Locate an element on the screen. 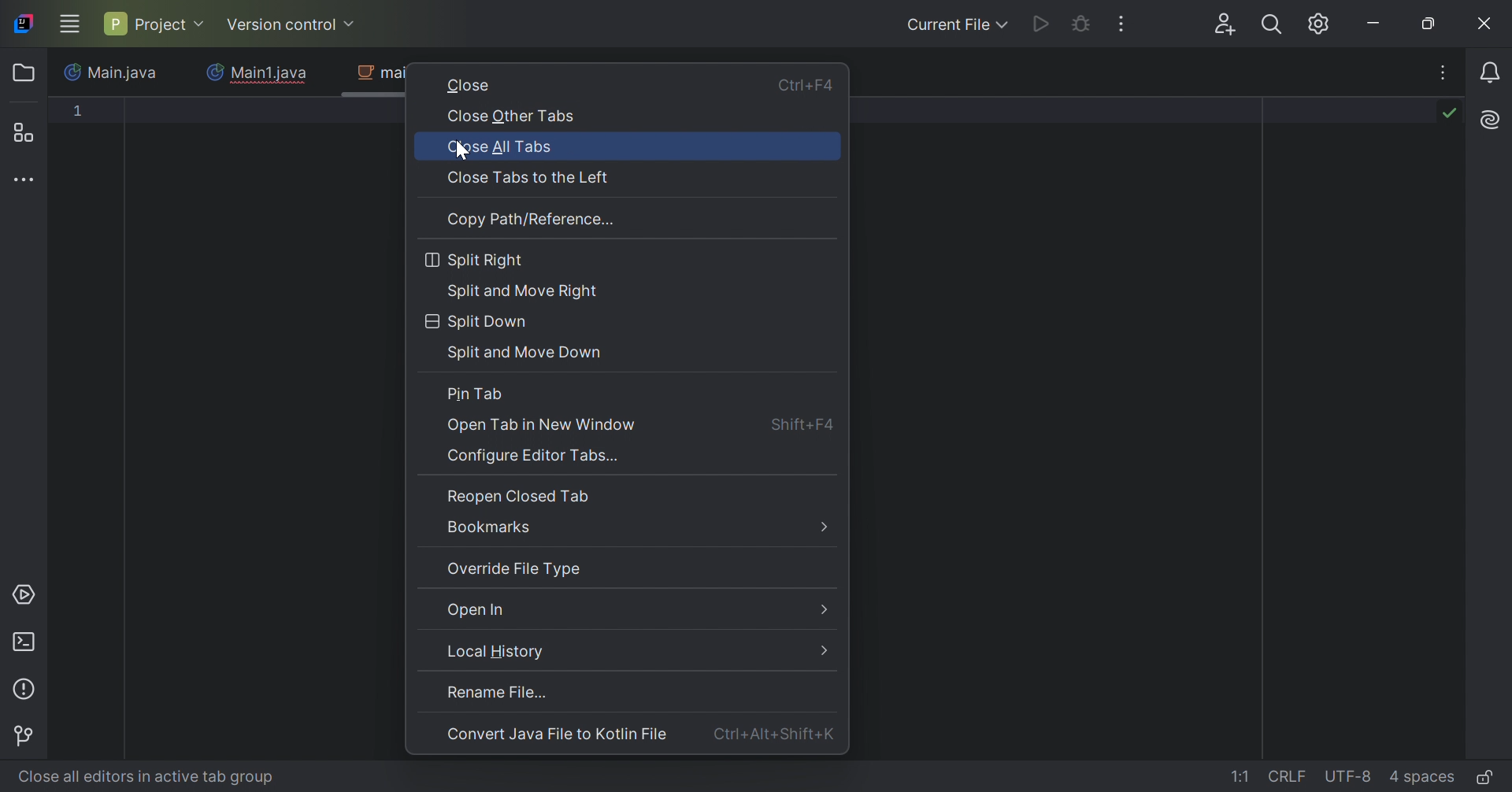  Recent Files Tab Actions, and More is located at coordinates (1445, 73).